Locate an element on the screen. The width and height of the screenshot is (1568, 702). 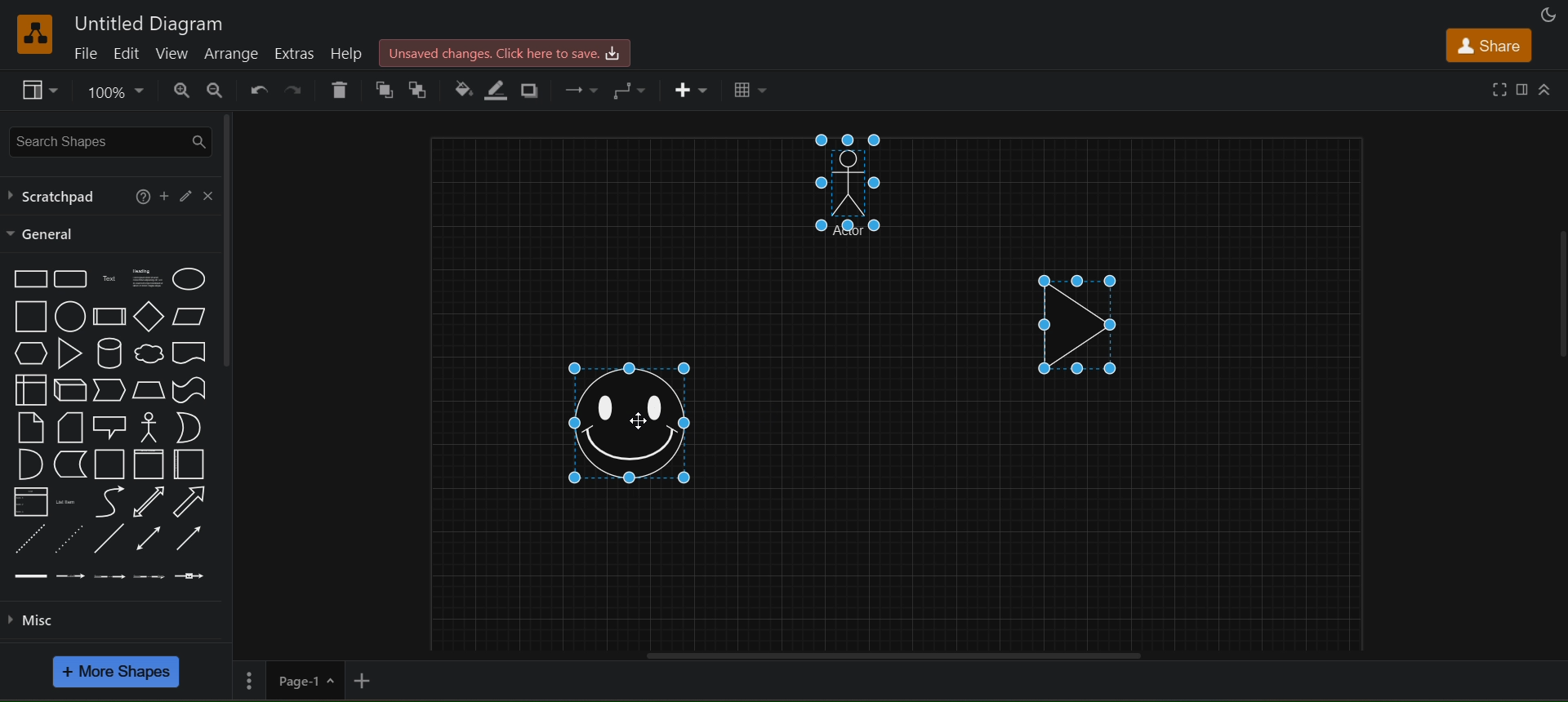
dashed line is located at coordinates (33, 539).